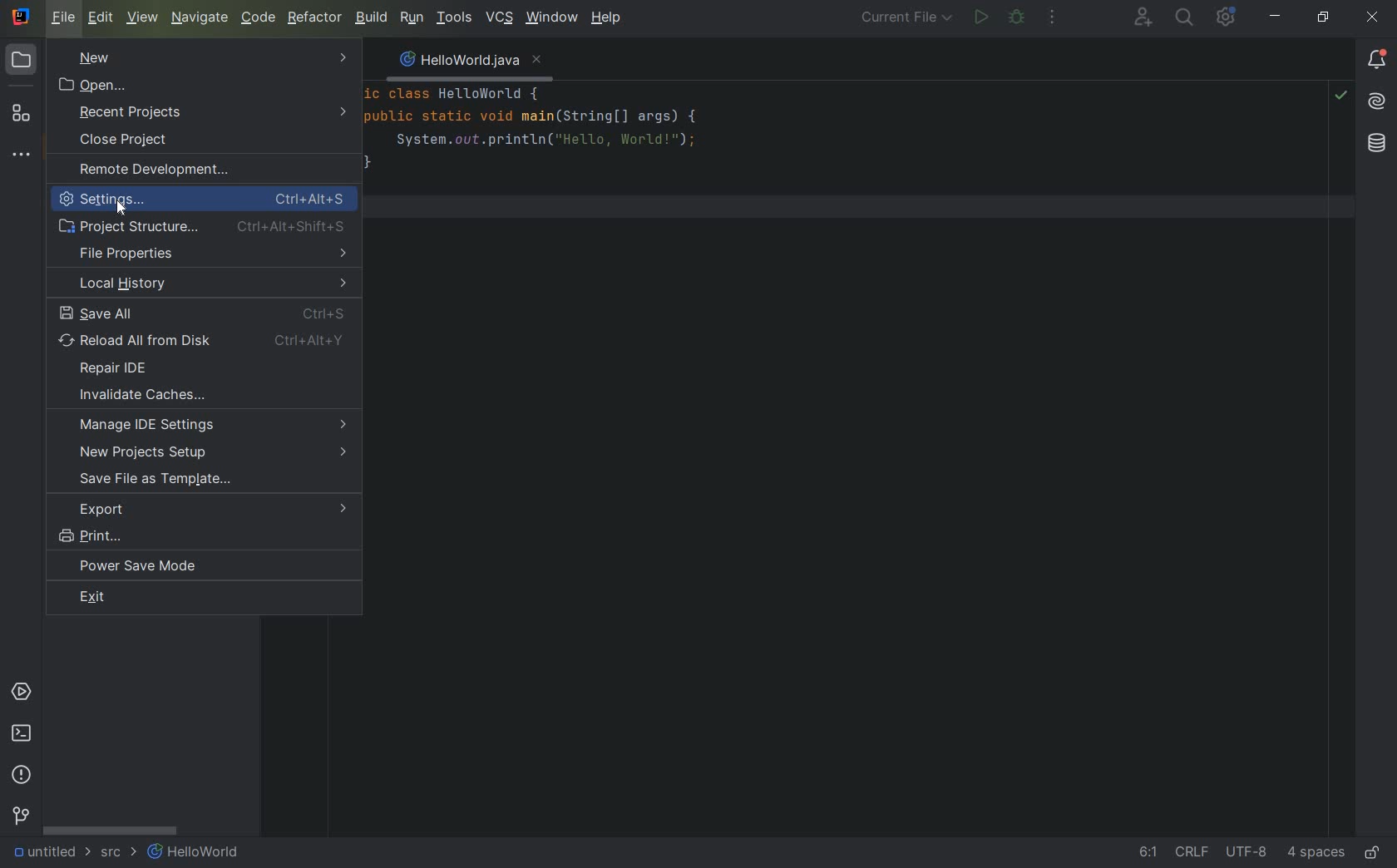  Describe the element at coordinates (205, 340) in the screenshot. I see `RELOAD ALL FROM DISK` at that location.